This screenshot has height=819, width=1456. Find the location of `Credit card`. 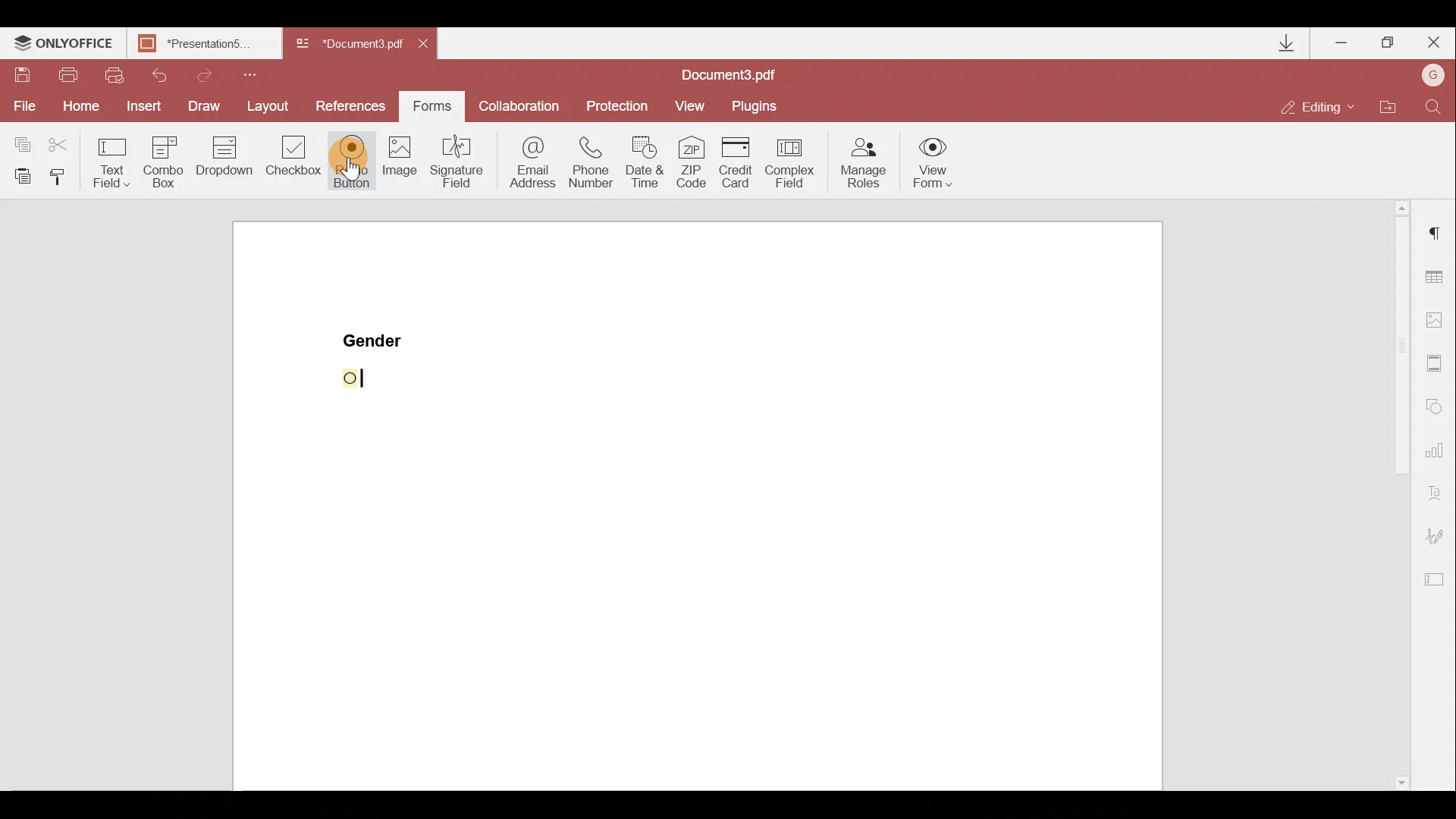

Credit card is located at coordinates (736, 158).